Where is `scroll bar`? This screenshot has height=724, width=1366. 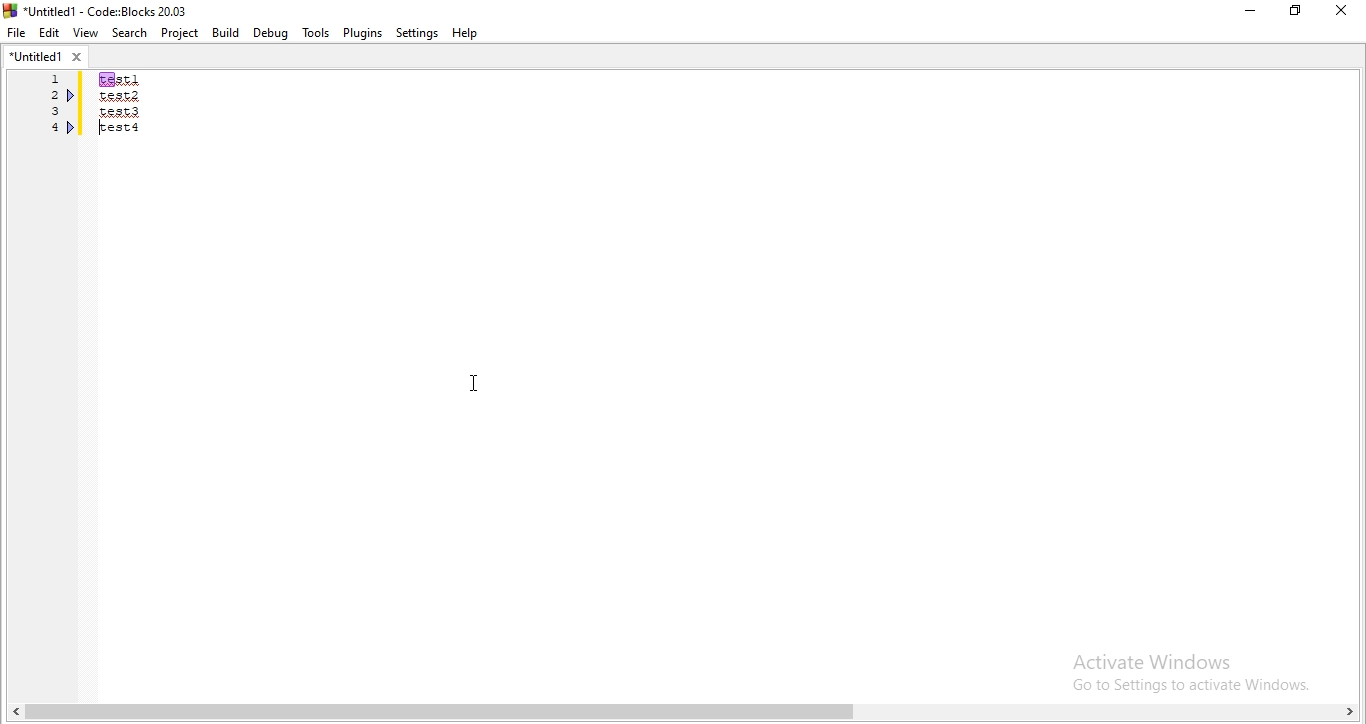
scroll bar is located at coordinates (683, 713).